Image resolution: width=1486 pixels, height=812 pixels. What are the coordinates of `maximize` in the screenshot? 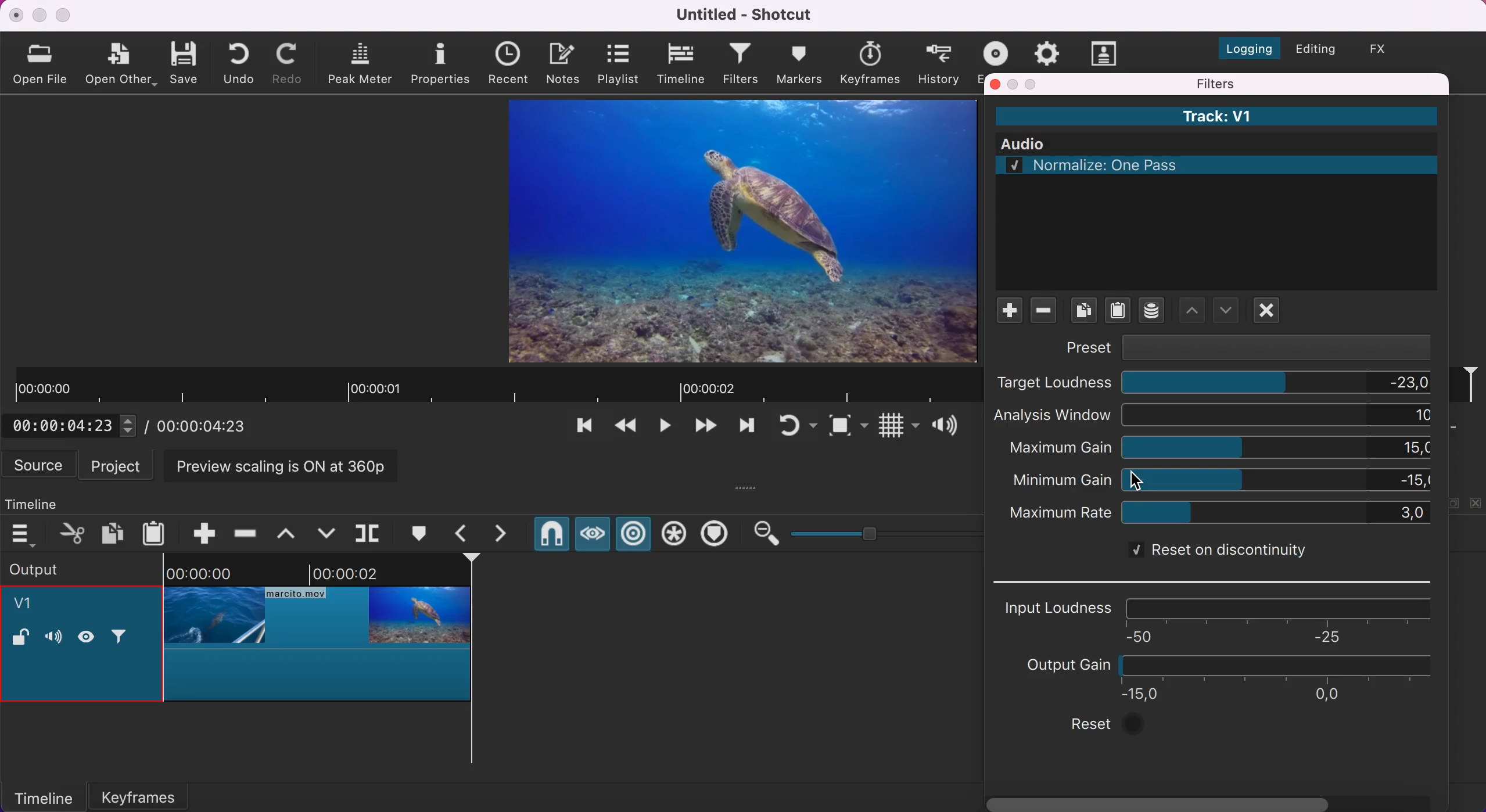 It's located at (65, 15).